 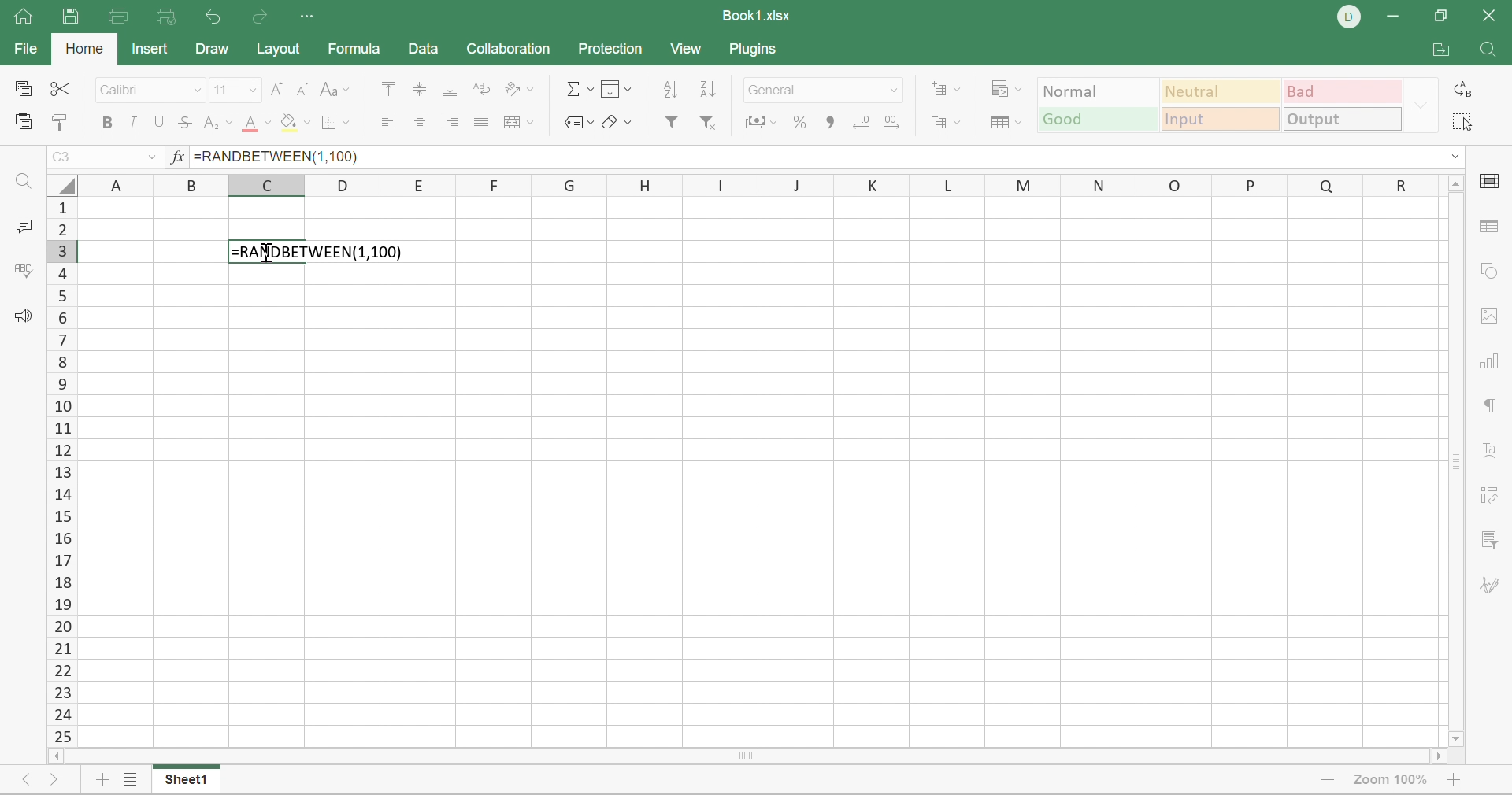 What do you see at coordinates (361, 51) in the screenshot?
I see `Formula` at bounding box center [361, 51].